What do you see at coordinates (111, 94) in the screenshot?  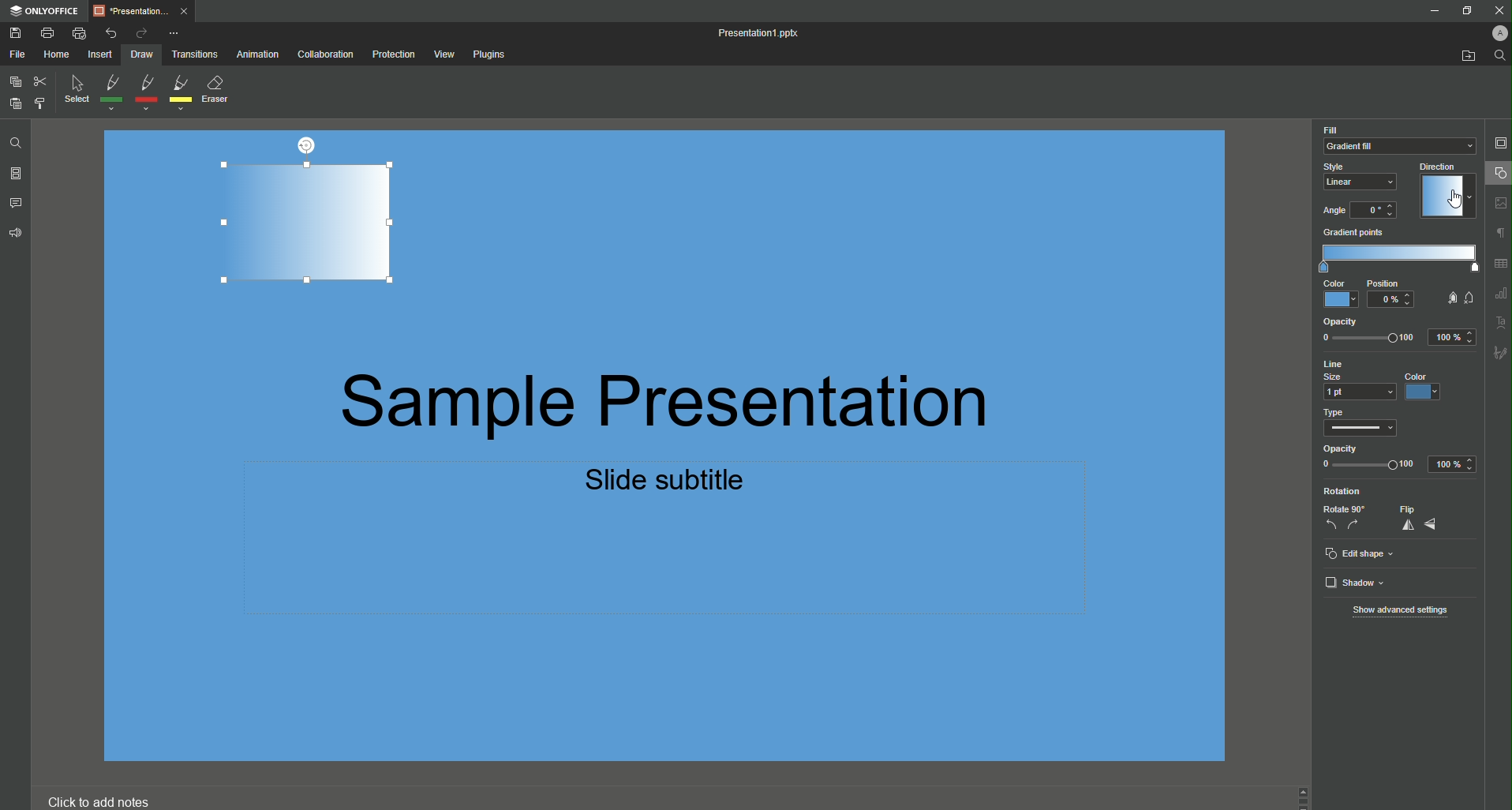 I see `Green` at bounding box center [111, 94].